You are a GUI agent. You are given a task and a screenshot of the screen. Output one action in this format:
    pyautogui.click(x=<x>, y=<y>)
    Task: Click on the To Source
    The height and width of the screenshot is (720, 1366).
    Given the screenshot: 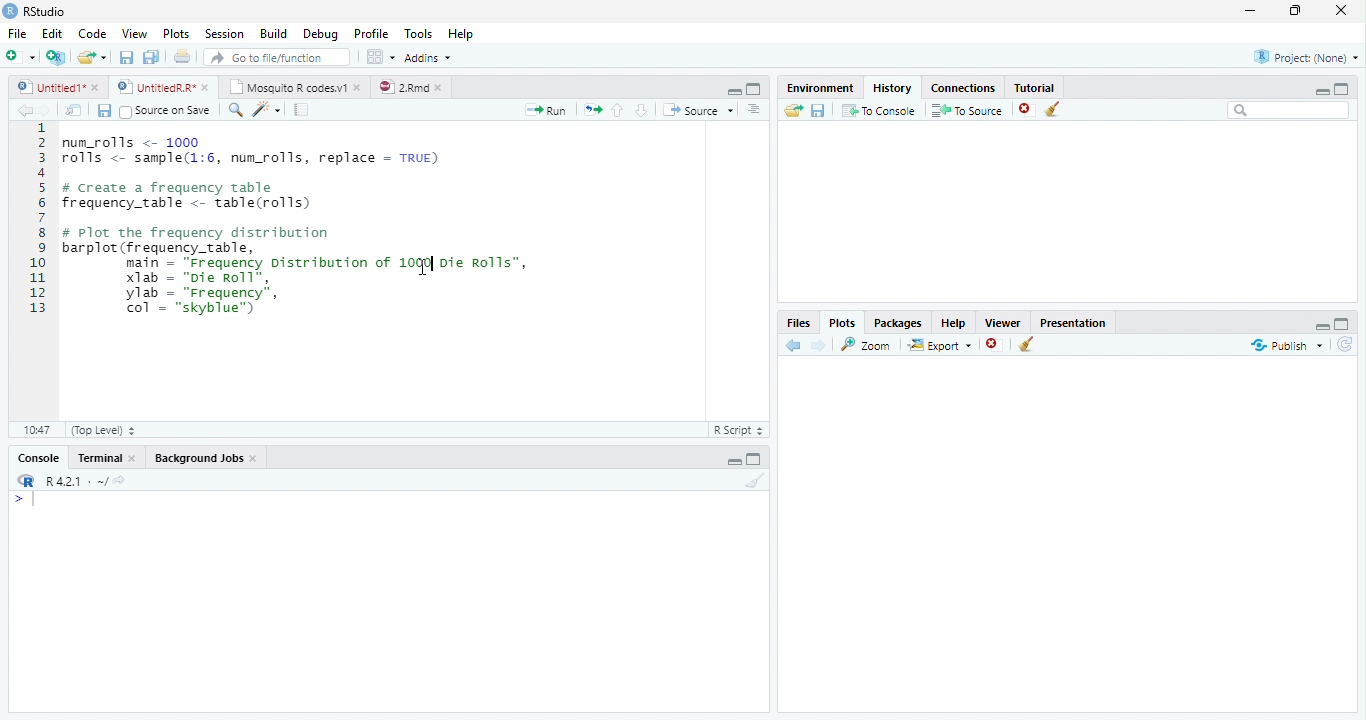 What is the action you would take?
    pyautogui.click(x=967, y=110)
    